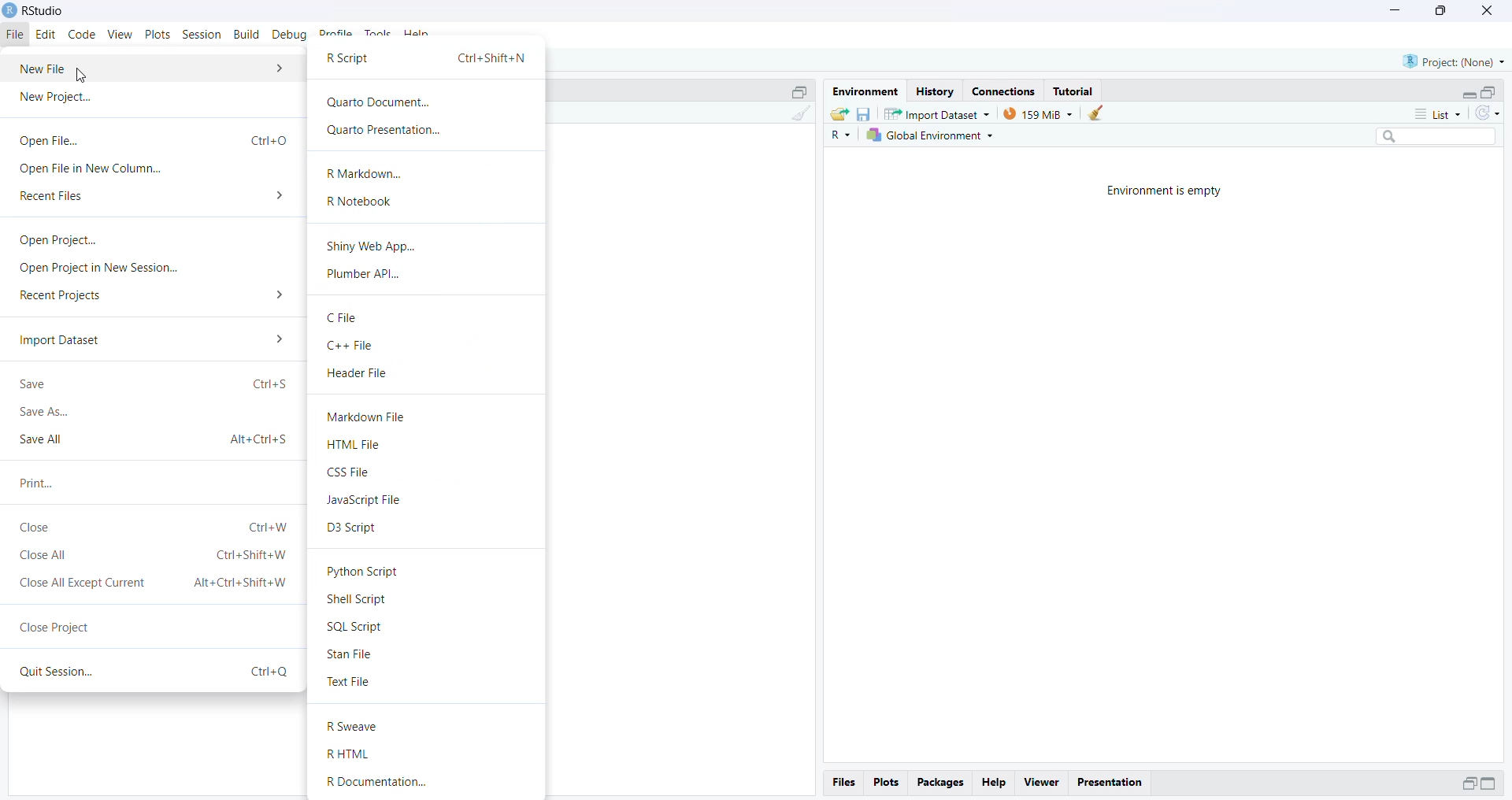  Describe the element at coordinates (154, 383) in the screenshot. I see `Save Ctrl+S` at that location.